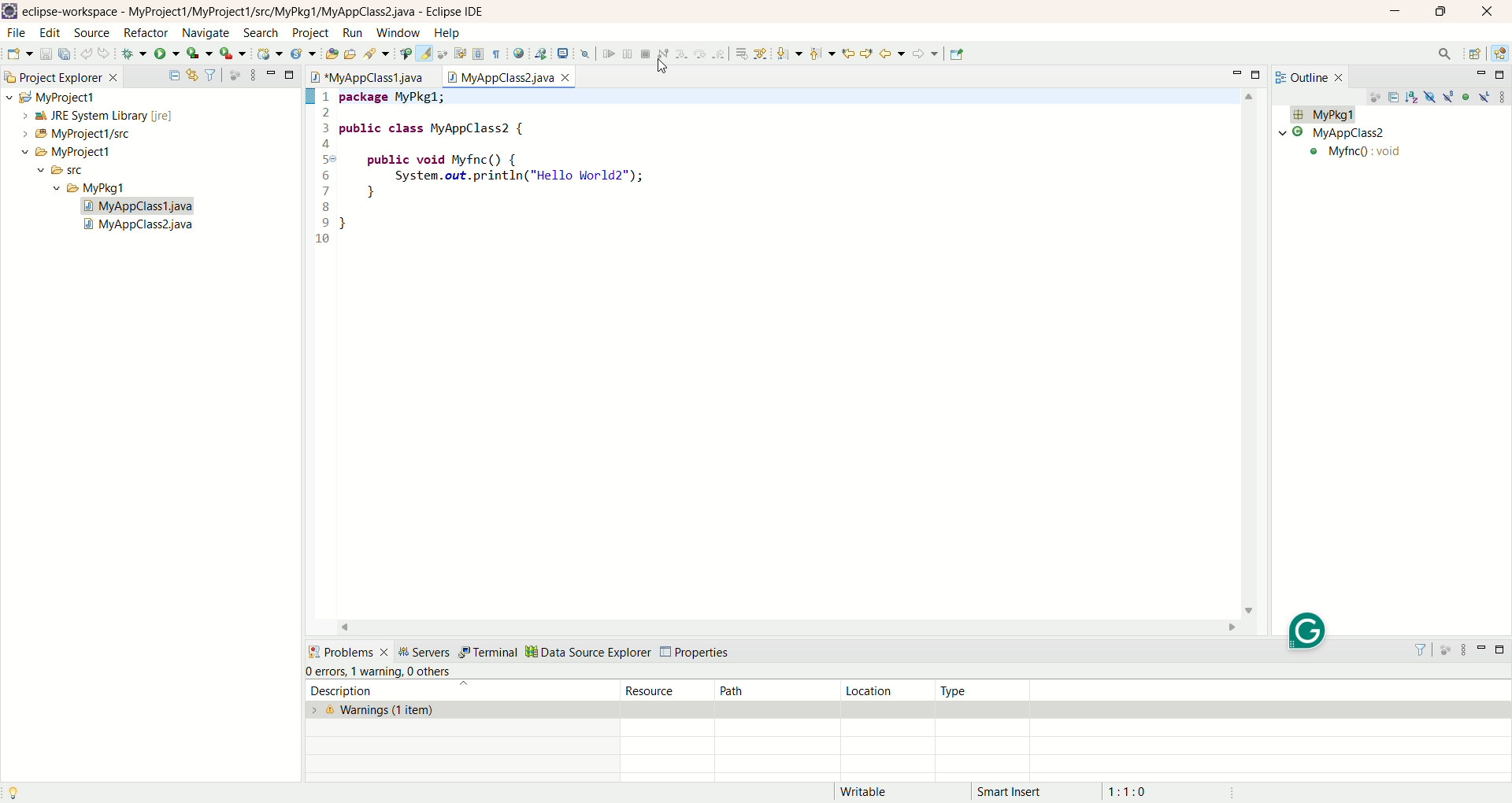 The width and height of the screenshot is (1512, 803). Describe the element at coordinates (587, 650) in the screenshot. I see `data source explorer` at that location.